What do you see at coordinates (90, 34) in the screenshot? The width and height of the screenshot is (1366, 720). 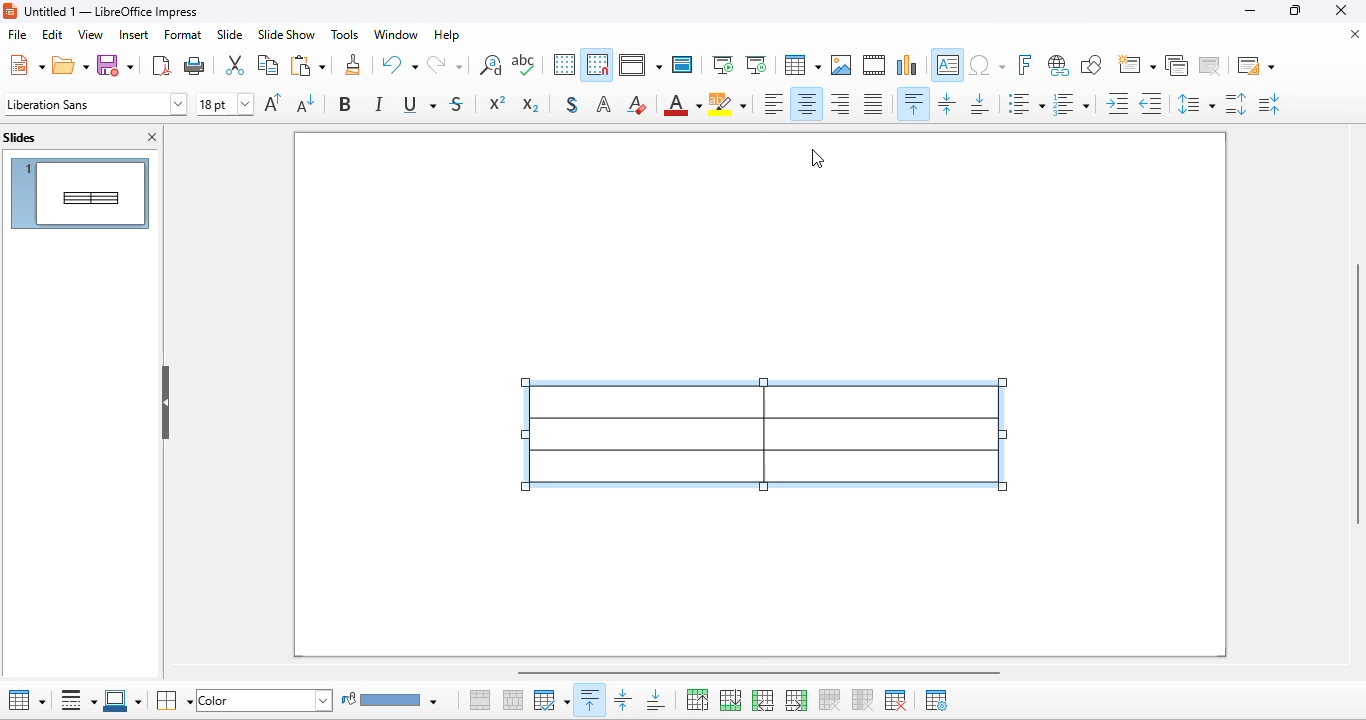 I see `view` at bounding box center [90, 34].